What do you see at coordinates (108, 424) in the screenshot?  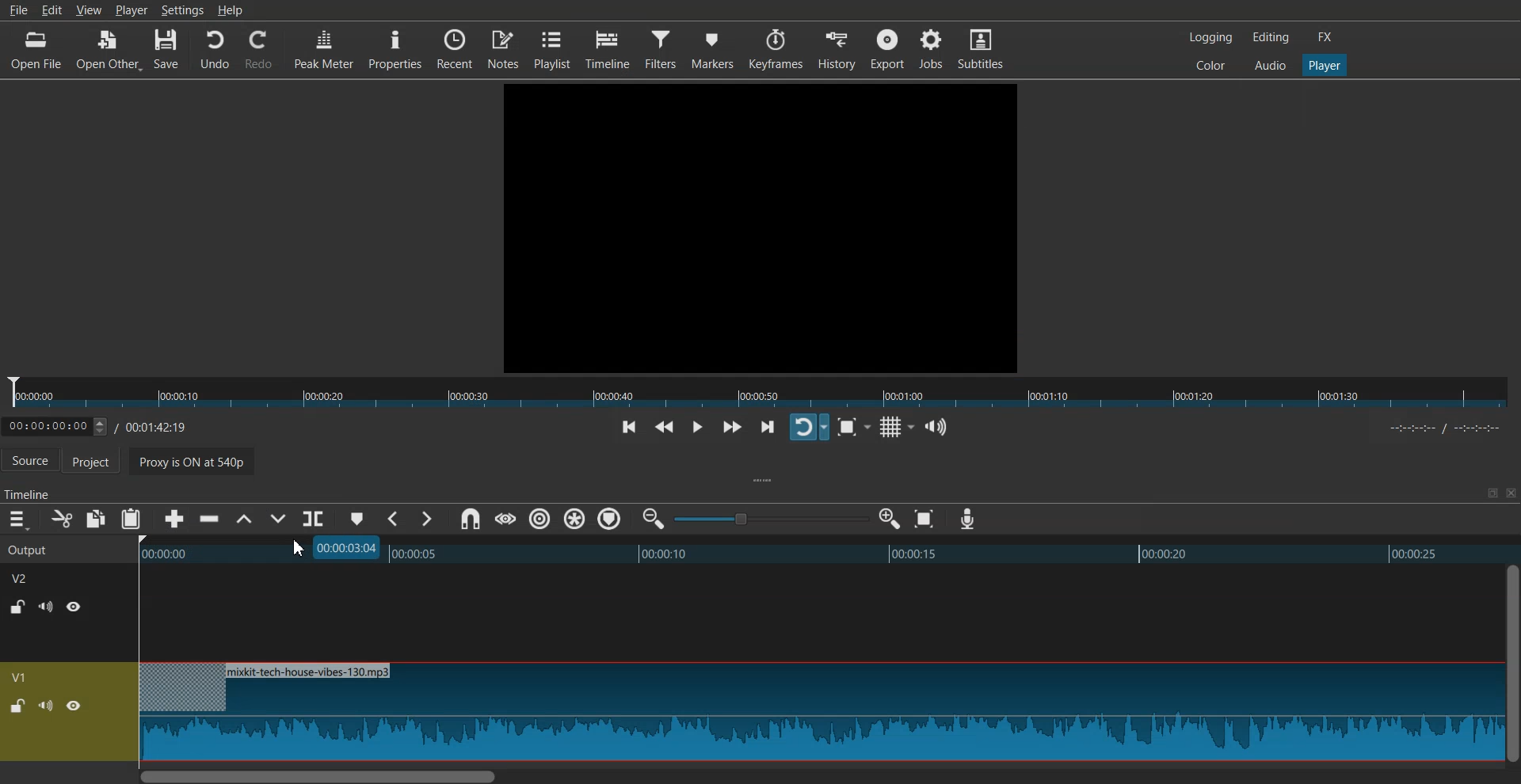 I see `Timeline` at bounding box center [108, 424].